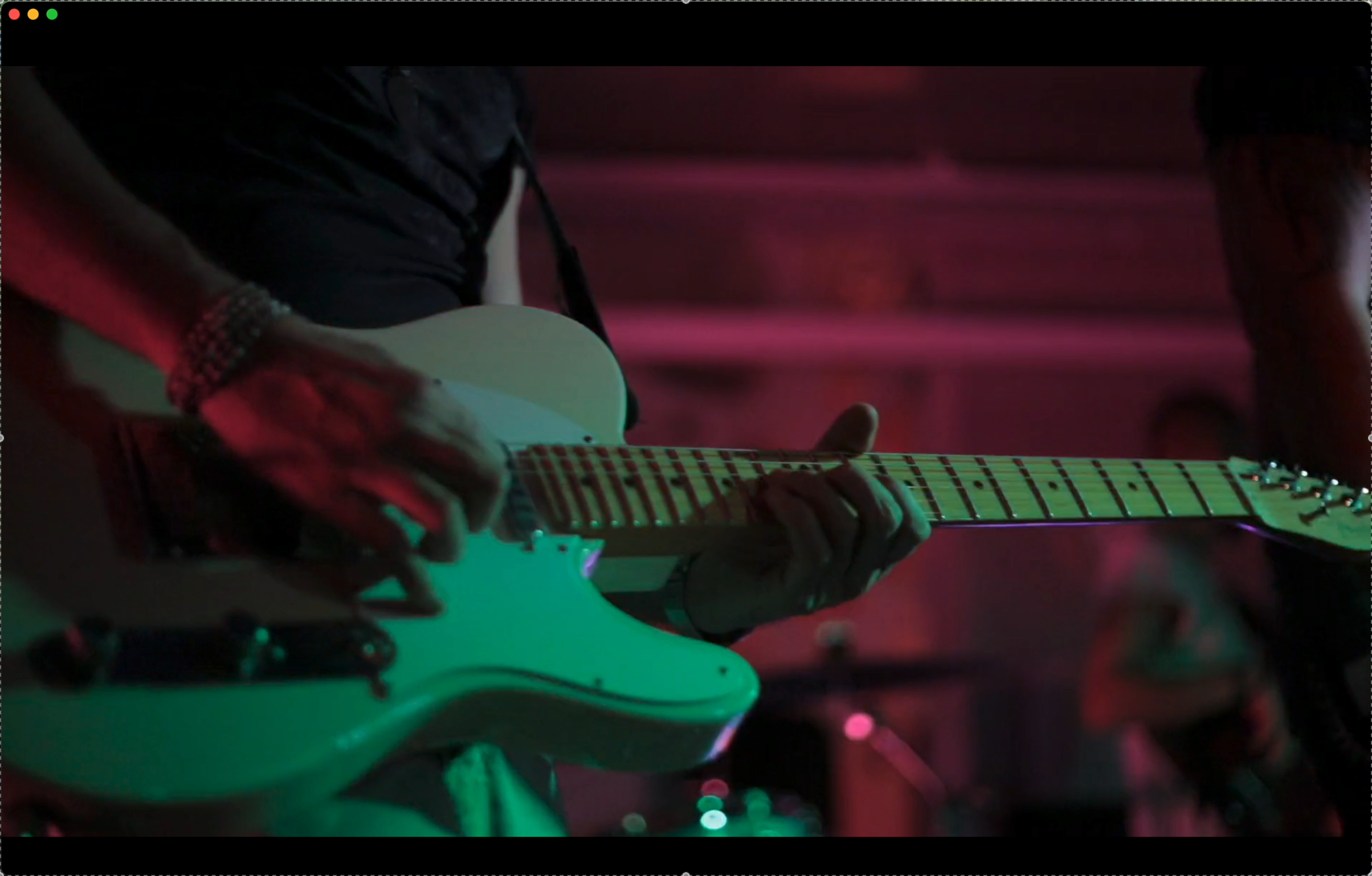 The image size is (1372, 876). Describe the element at coordinates (33, 13) in the screenshot. I see `minimise` at that location.